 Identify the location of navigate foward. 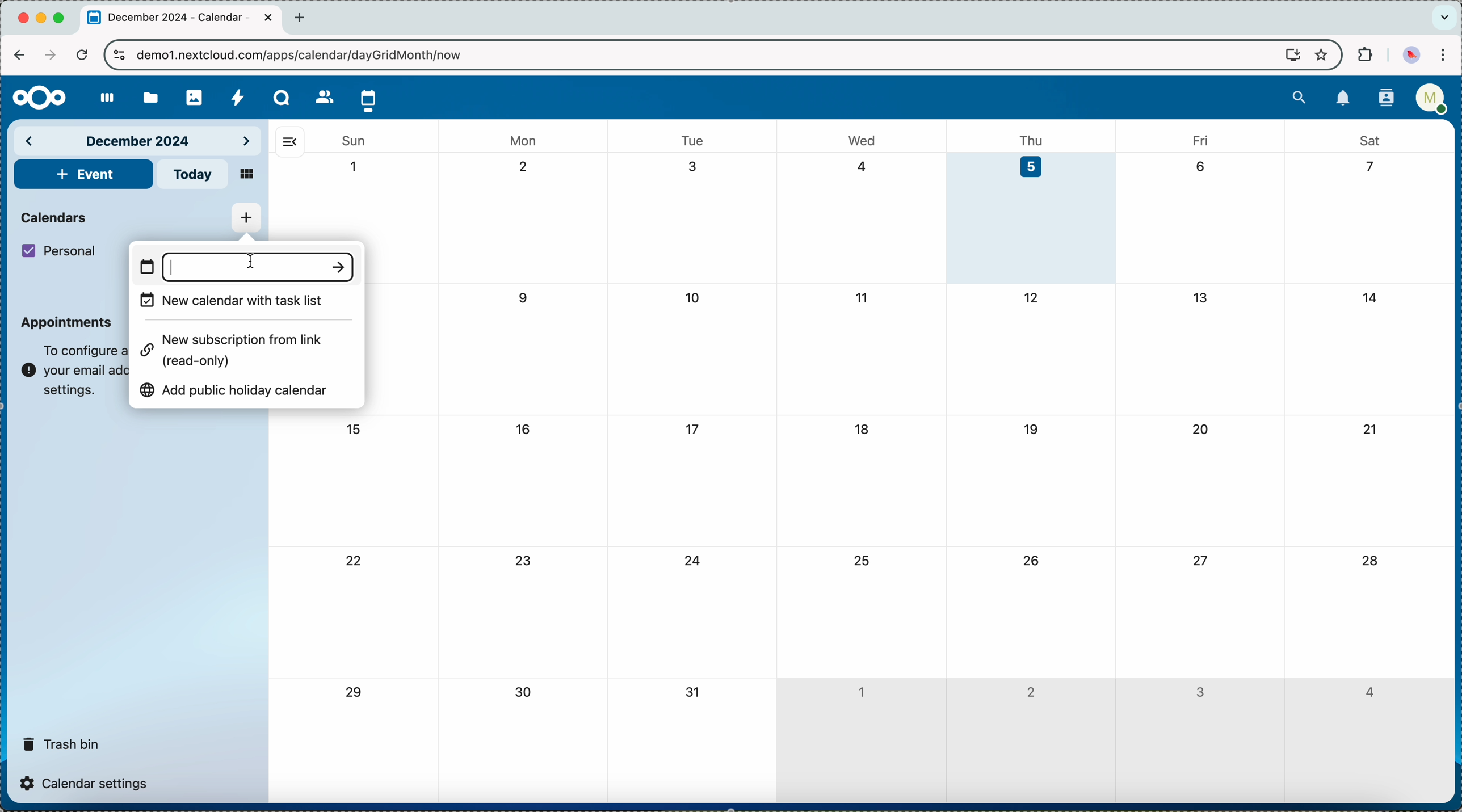
(48, 55).